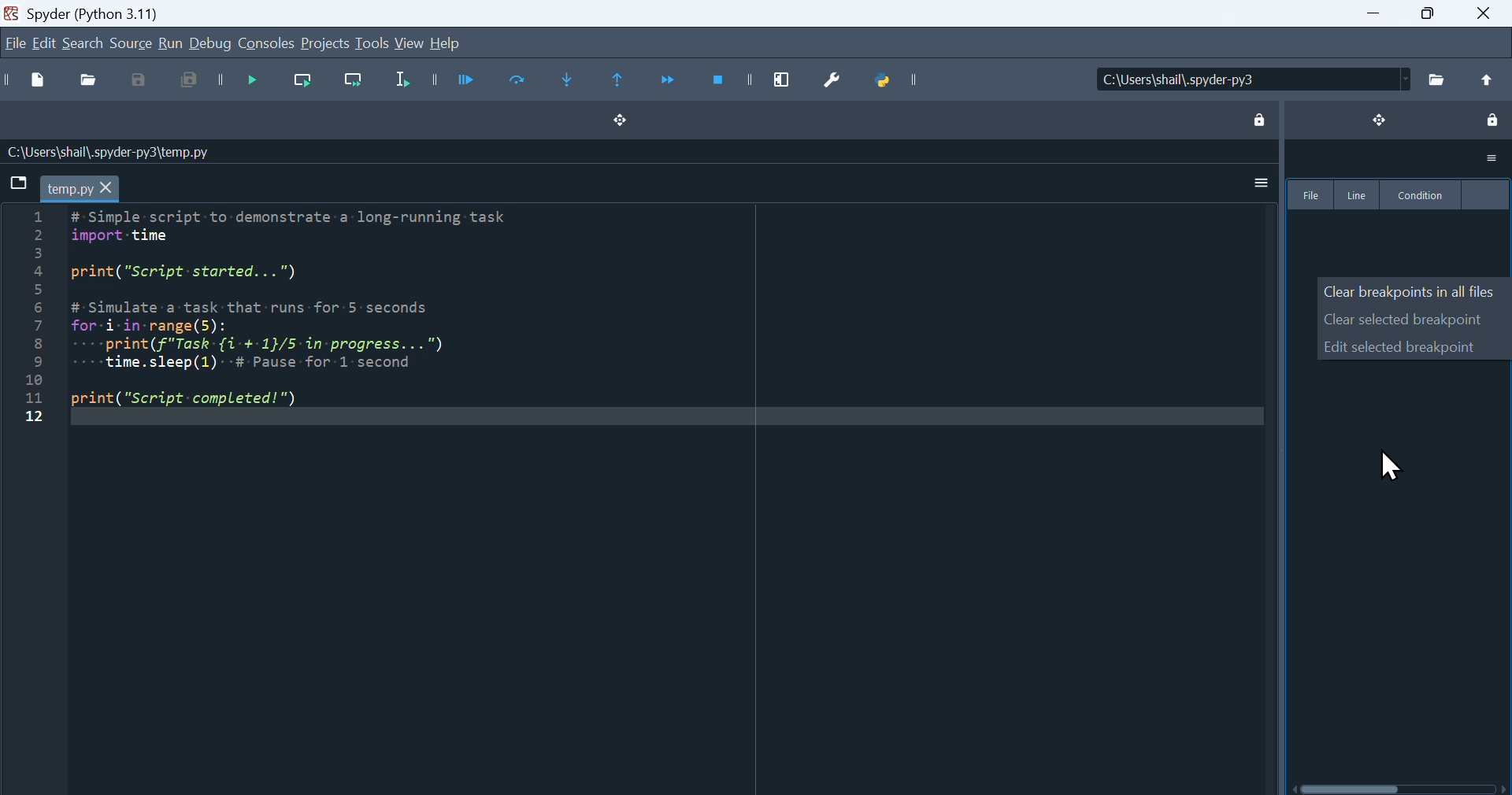  Describe the element at coordinates (338, 332) in the screenshot. I see `Python code` at that location.